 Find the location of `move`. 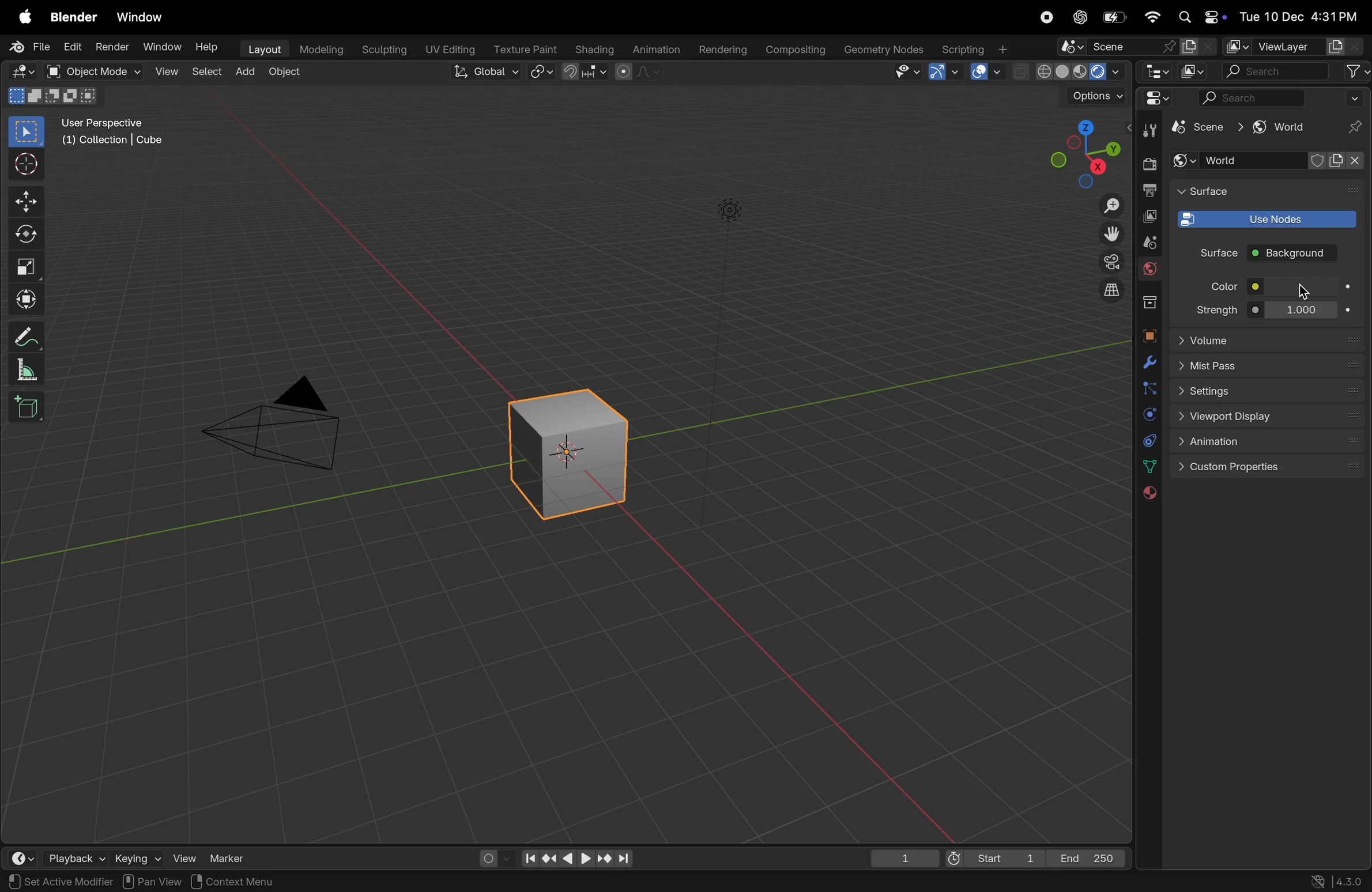

move is located at coordinates (28, 200).